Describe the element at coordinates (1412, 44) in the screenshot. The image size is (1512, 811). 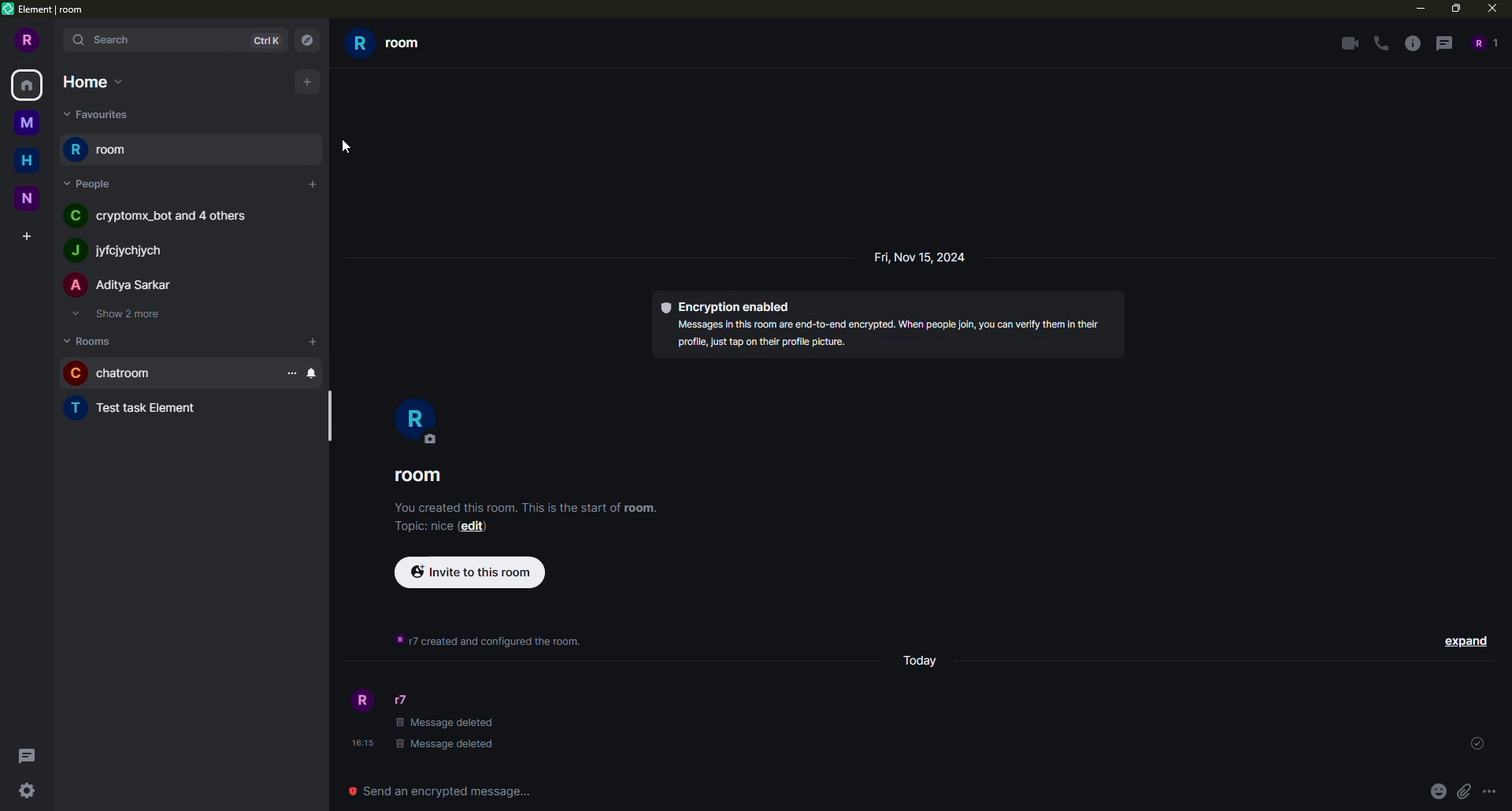
I see `info` at that location.